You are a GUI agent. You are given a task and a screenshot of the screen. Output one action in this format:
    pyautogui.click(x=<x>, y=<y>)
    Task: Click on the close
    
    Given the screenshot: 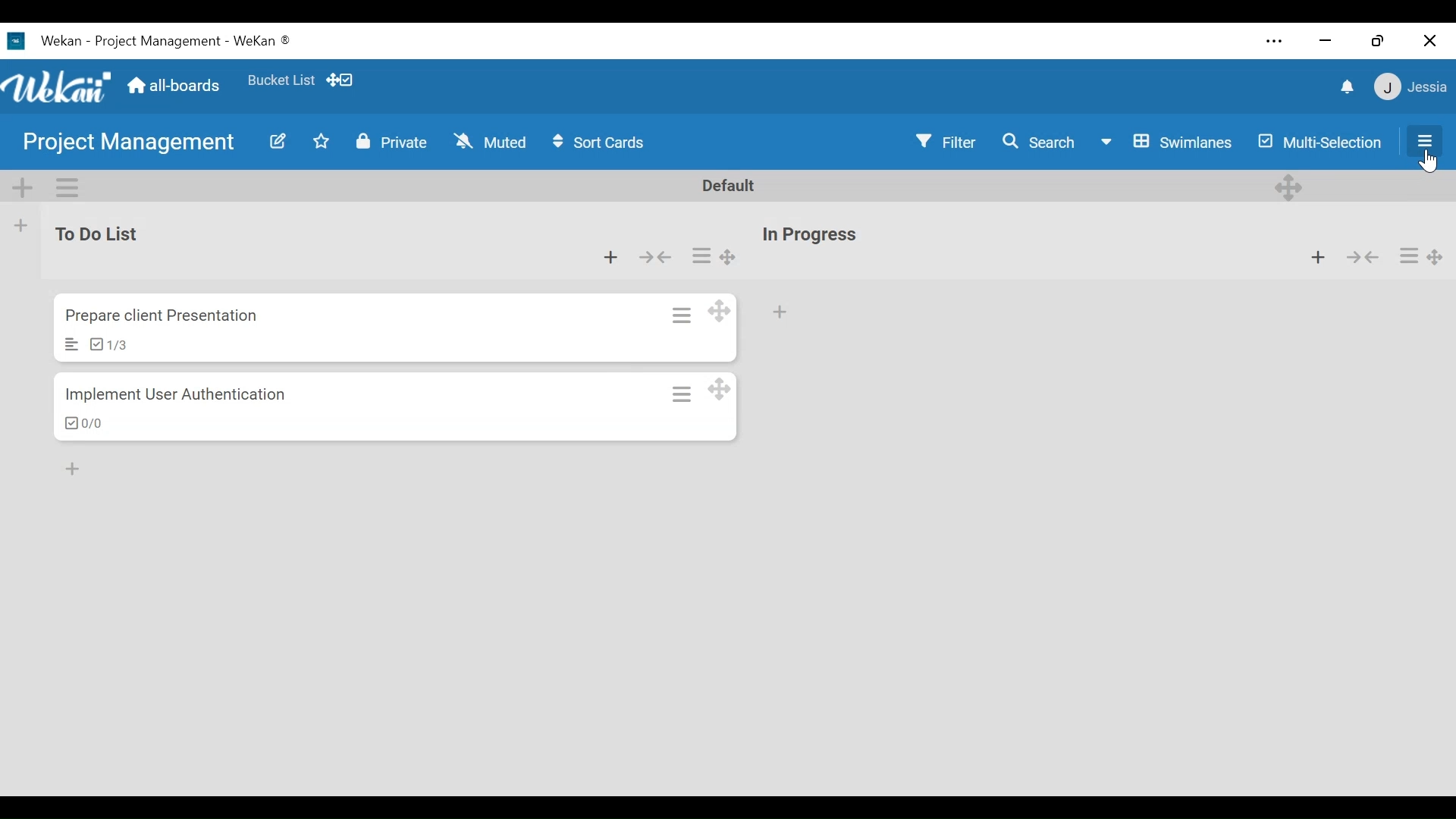 What is the action you would take?
    pyautogui.click(x=1328, y=41)
    